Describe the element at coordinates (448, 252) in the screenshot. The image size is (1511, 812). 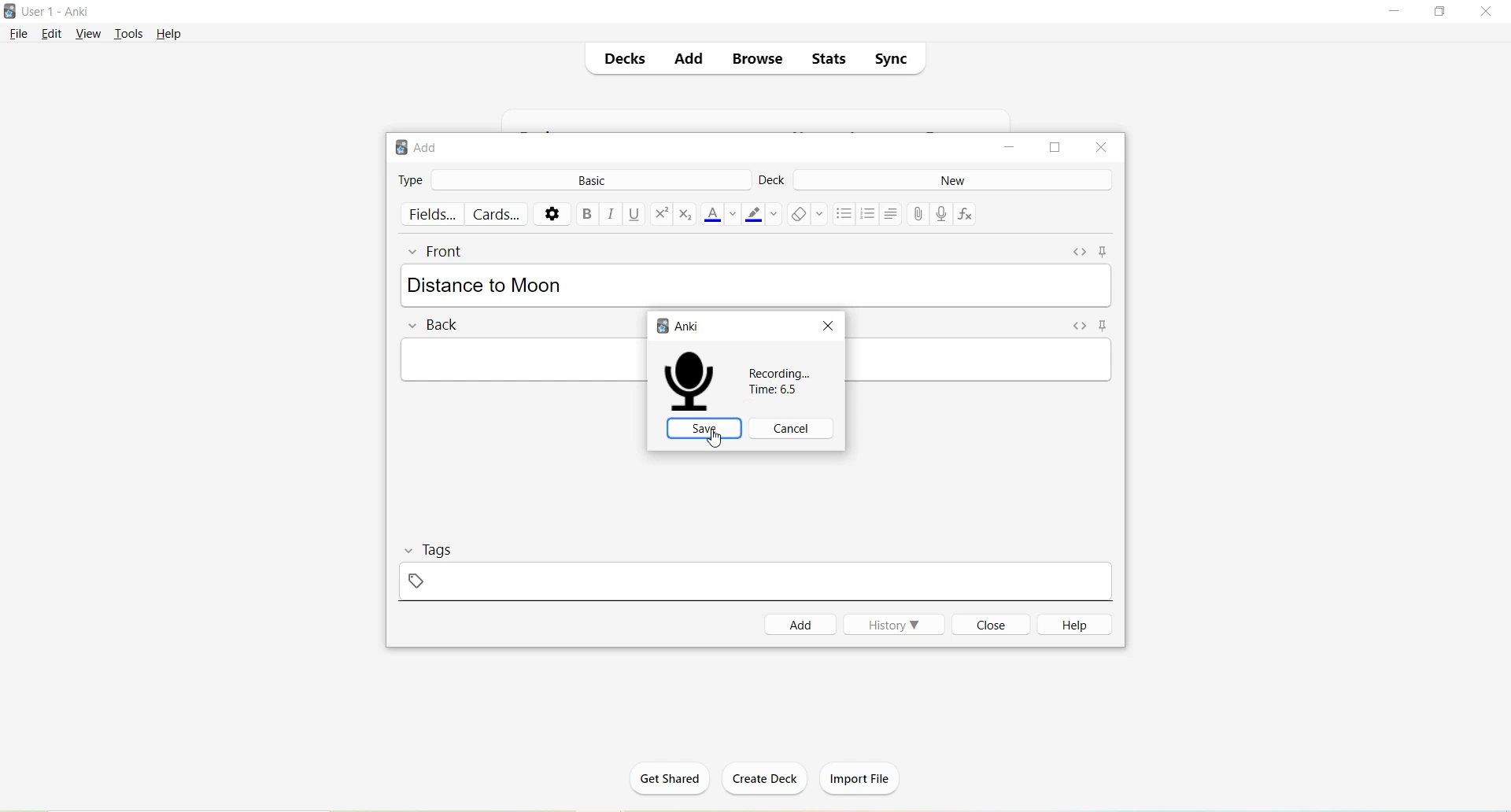
I see `Front` at that location.